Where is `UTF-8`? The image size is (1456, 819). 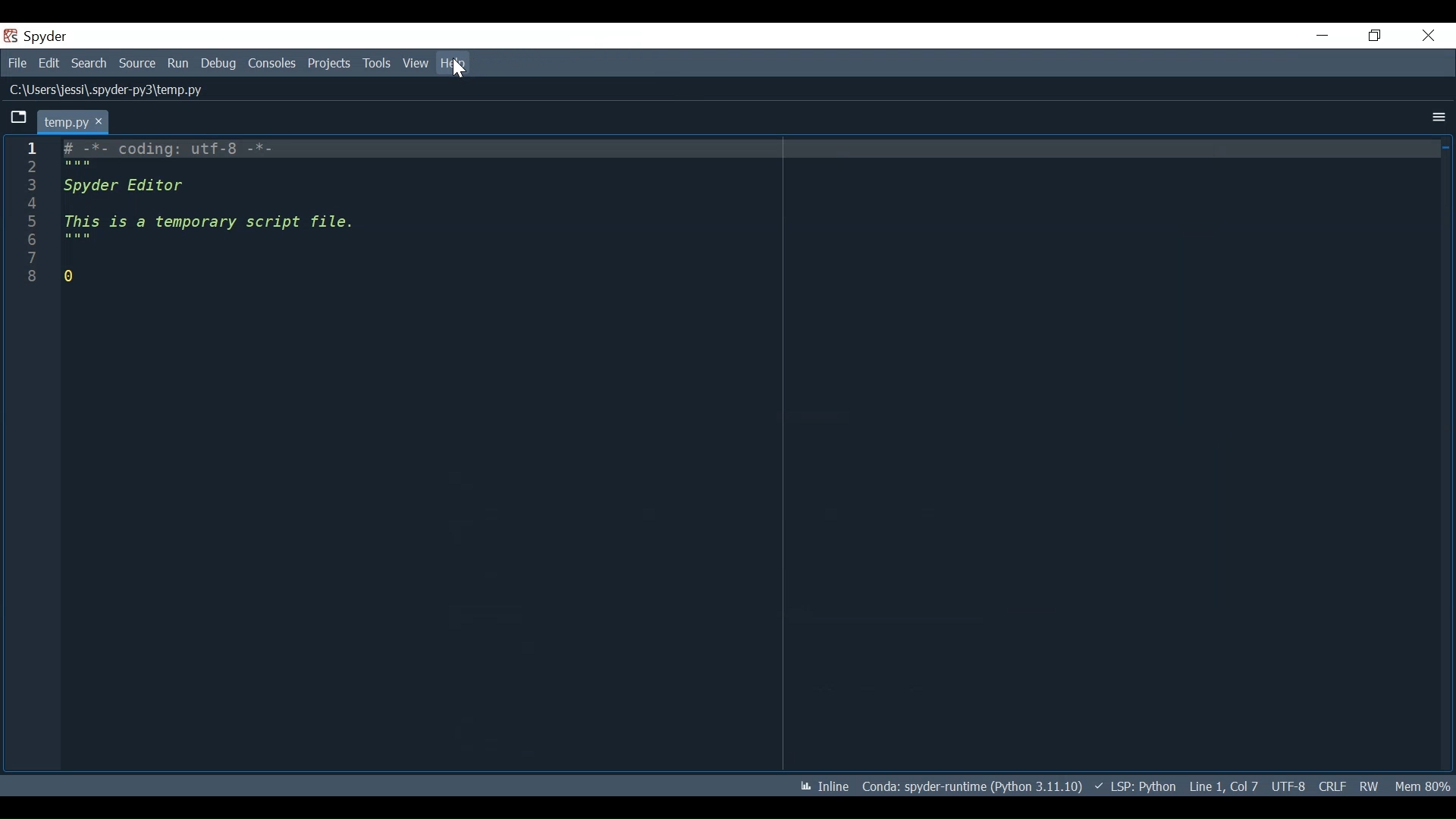
UTF-8 is located at coordinates (1291, 785).